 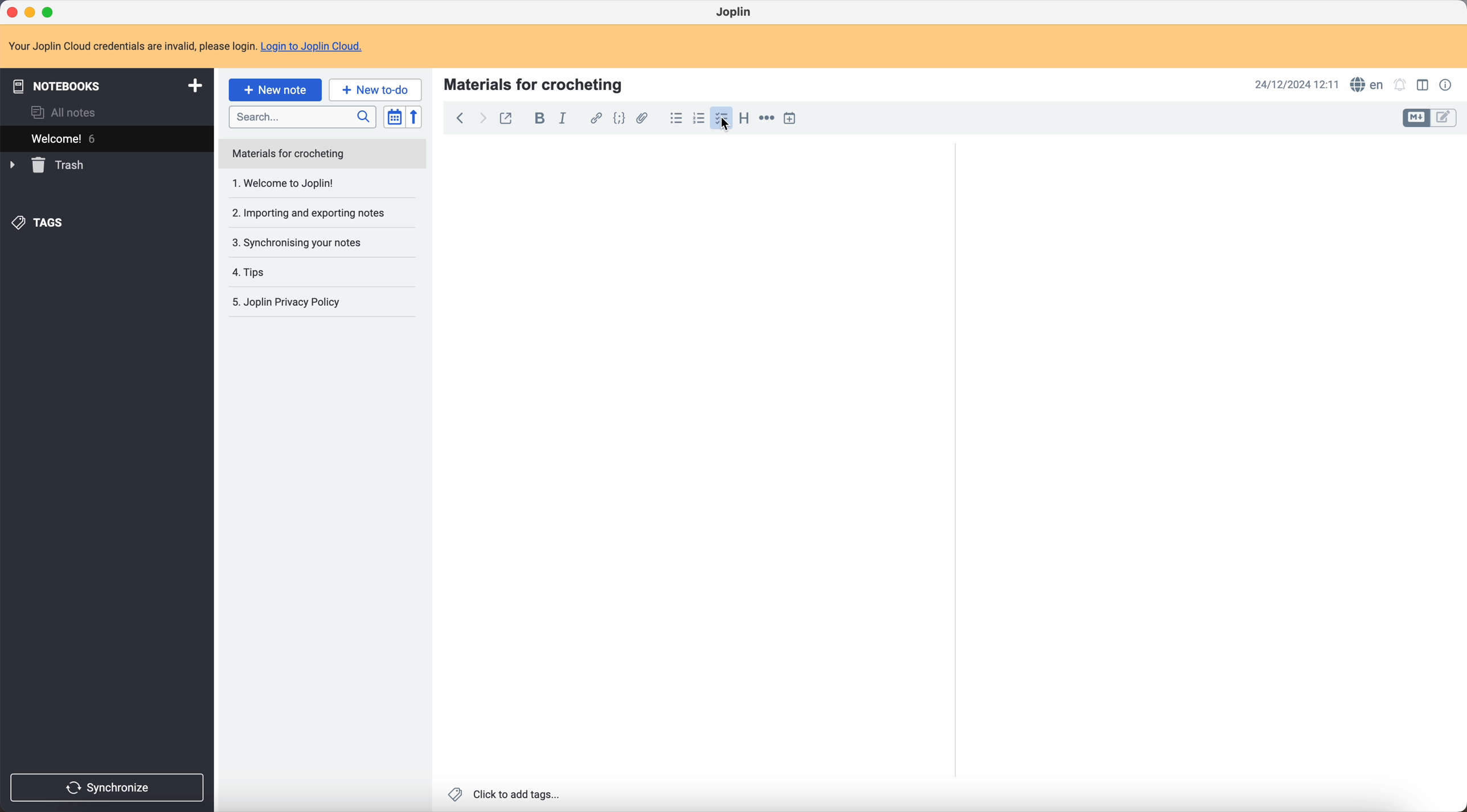 I want to click on new to-do, so click(x=375, y=89).